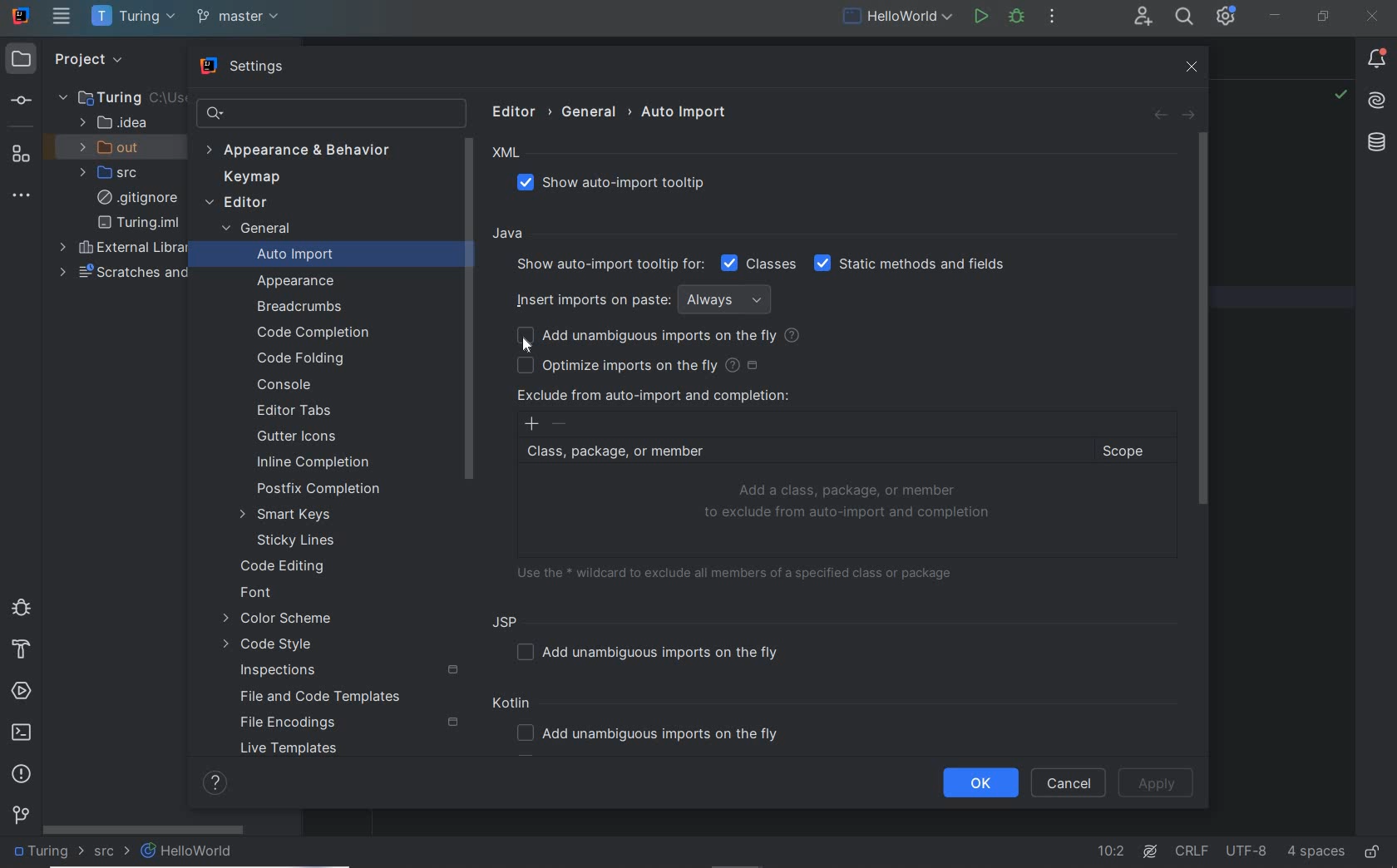 This screenshot has width=1397, height=868. What do you see at coordinates (126, 249) in the screenshot?
I see `external libraries` at bounding box center [126, 249].